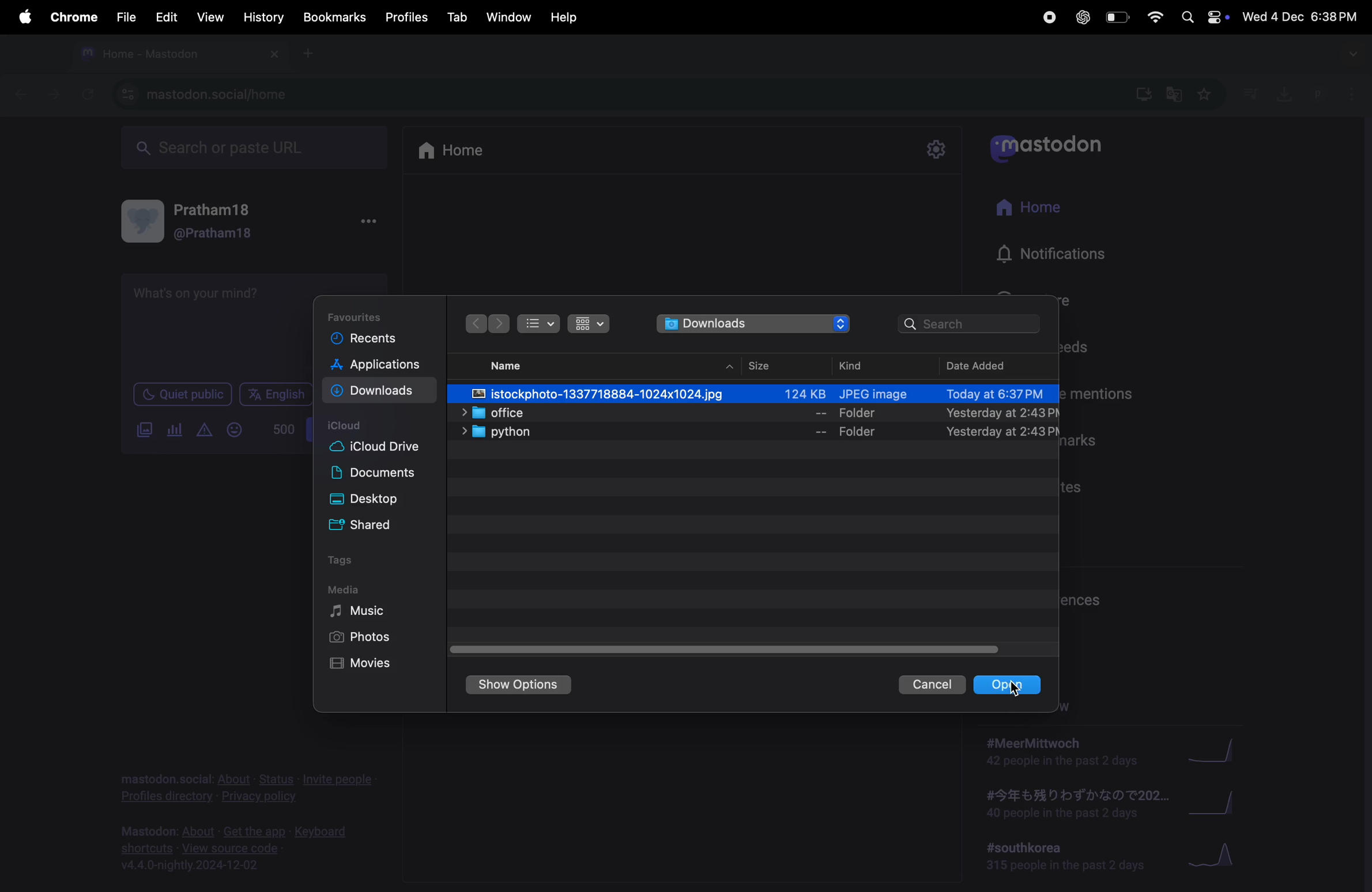 The image size is (1372, 892). I want to click on History, so click(259, 18).